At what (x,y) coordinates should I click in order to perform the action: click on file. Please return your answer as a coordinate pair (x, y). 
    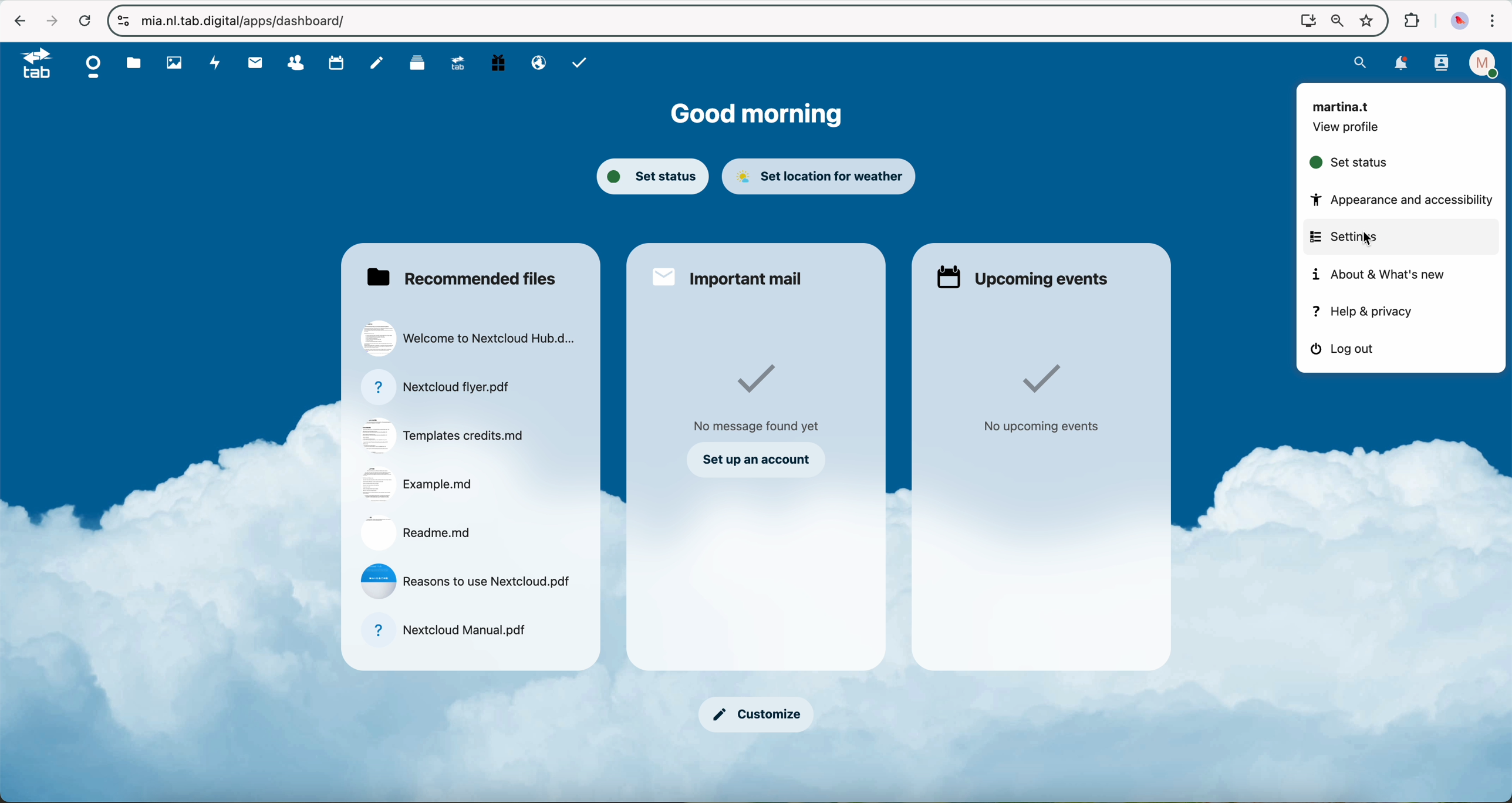
    Looking at the image, I should click on (417, 484).